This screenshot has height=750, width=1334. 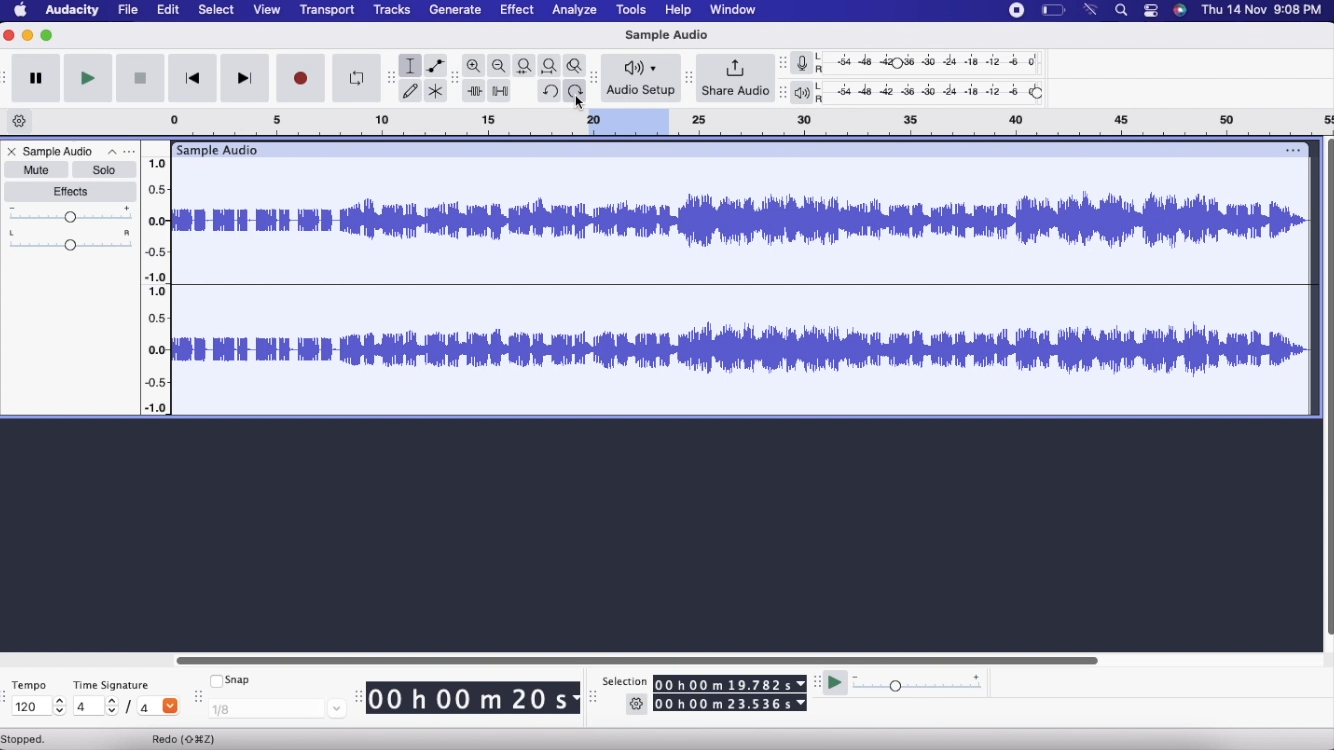 I want to click on Play at speed, so click(x=835, y=682).